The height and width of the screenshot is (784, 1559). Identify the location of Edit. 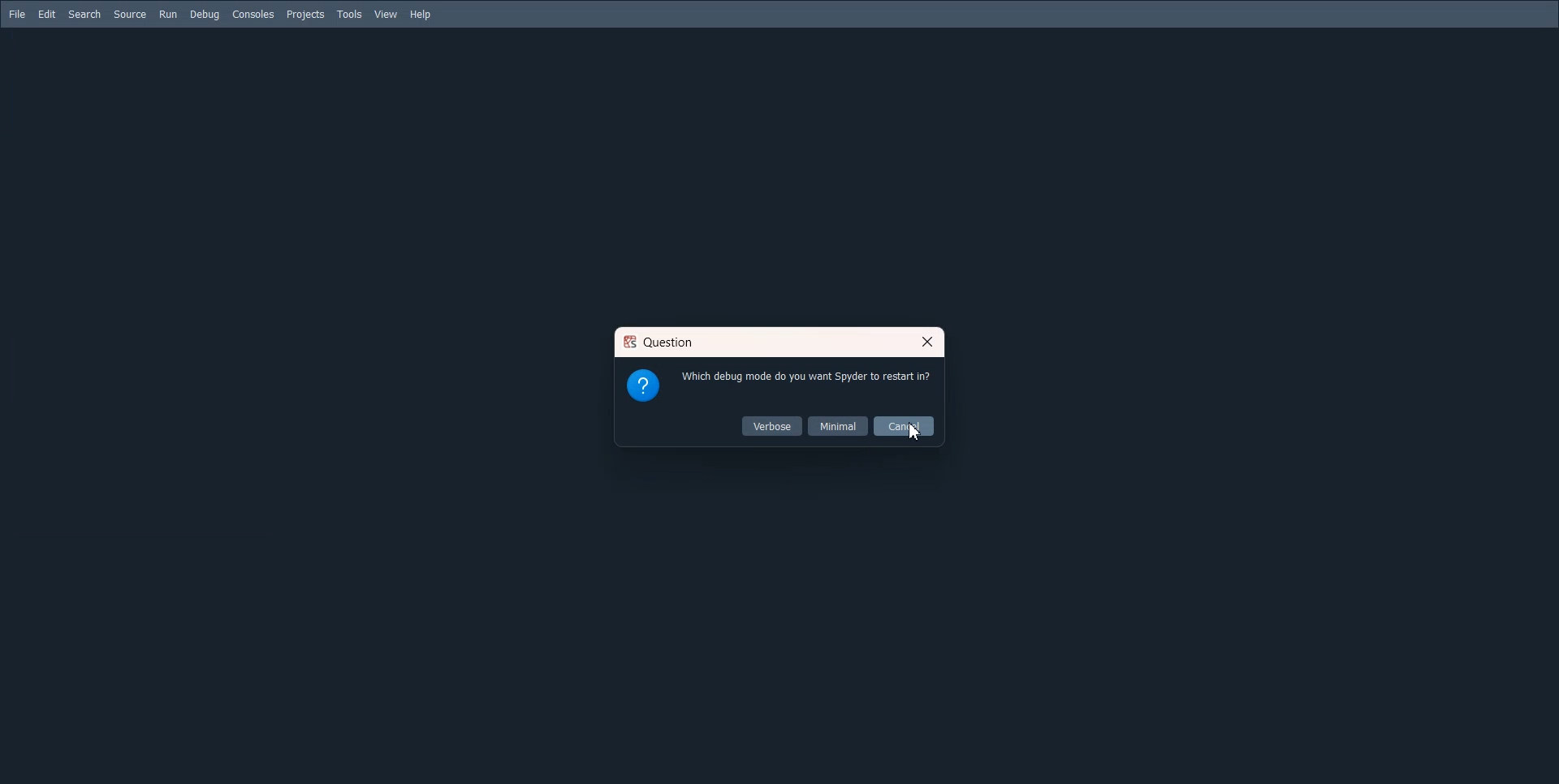
(47, 14).